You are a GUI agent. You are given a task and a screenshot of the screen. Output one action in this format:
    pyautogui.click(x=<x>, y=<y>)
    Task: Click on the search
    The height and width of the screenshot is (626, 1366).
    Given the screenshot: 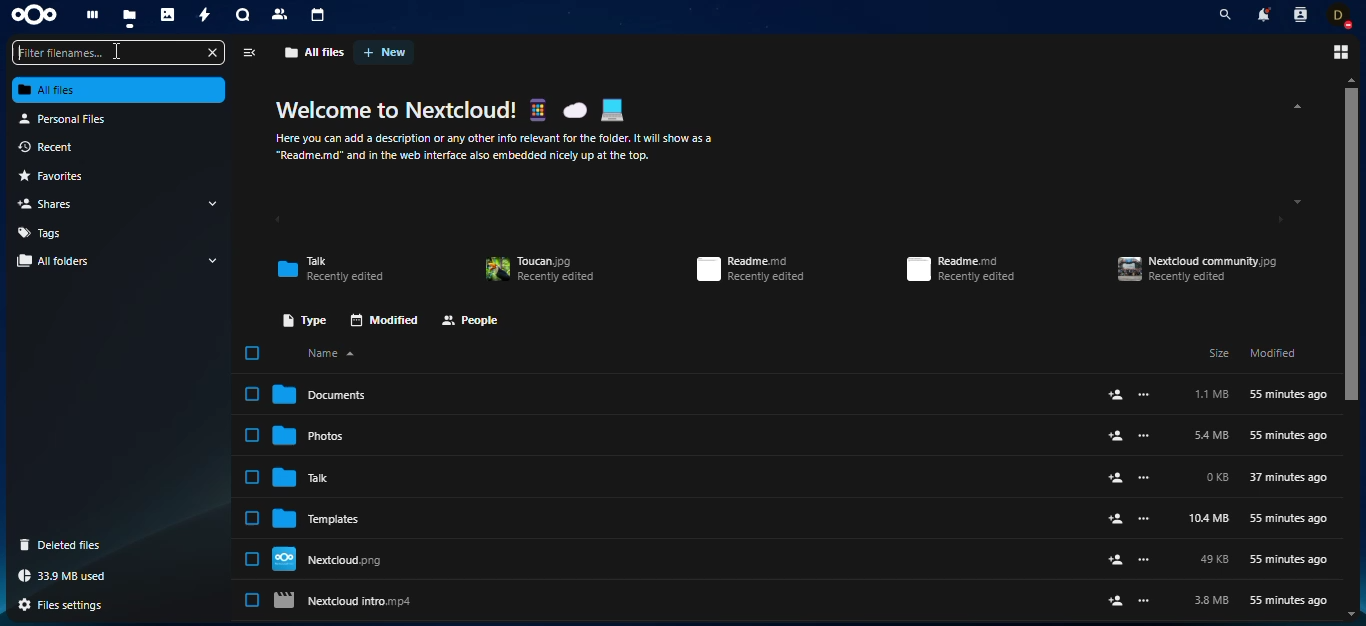 What is the action you would take?
    pyautogui.click(x=1221, y=15)
    